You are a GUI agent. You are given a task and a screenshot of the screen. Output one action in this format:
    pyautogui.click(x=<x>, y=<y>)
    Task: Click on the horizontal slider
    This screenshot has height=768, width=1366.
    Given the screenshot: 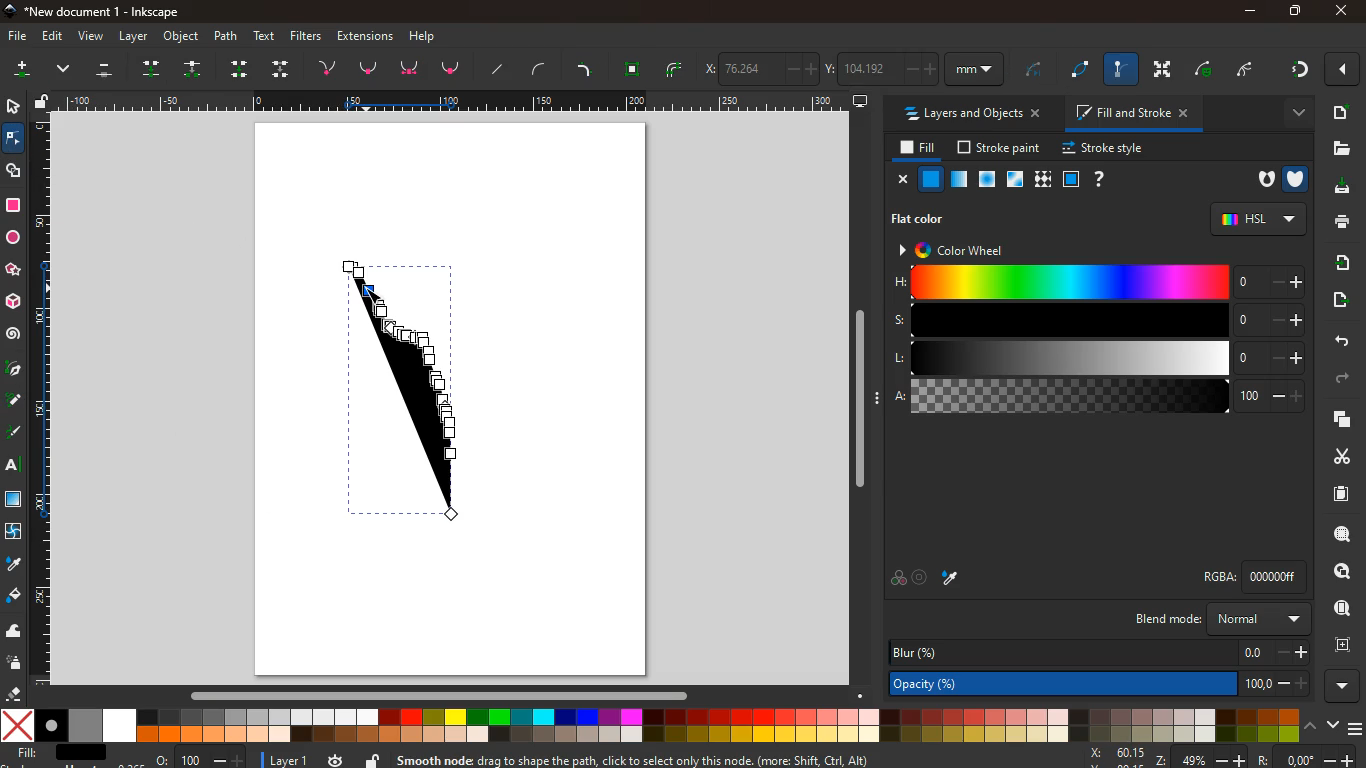 What is the action you would take?
    pyautogui.click(x=443, y=694)
    